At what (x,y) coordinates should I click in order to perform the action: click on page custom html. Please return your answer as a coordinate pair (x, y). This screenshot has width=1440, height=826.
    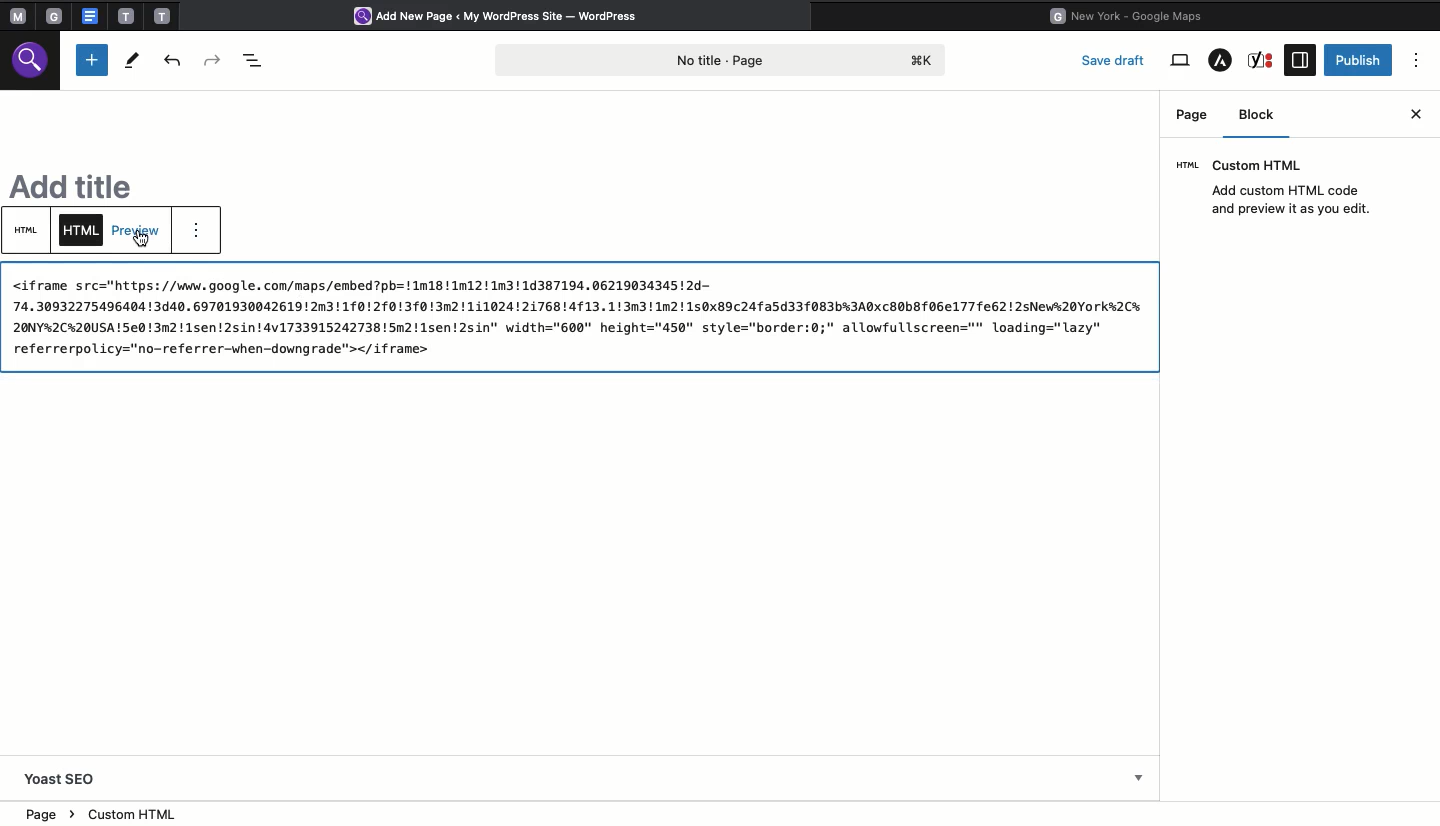
    Looking at the image, I should click on (96, 812).